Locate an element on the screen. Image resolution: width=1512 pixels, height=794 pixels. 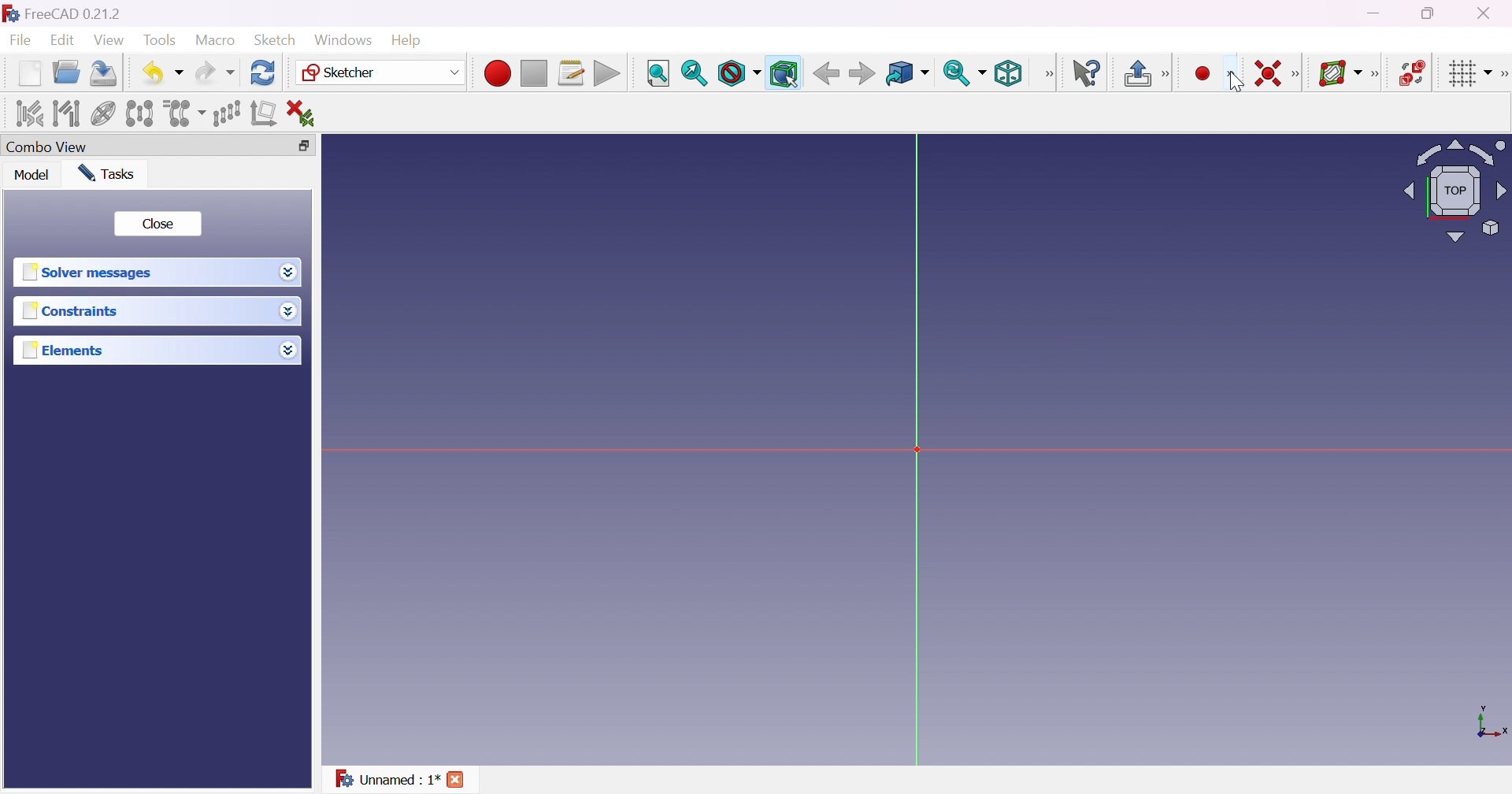
Switch virtual space is located at coordinates (1413, 72).